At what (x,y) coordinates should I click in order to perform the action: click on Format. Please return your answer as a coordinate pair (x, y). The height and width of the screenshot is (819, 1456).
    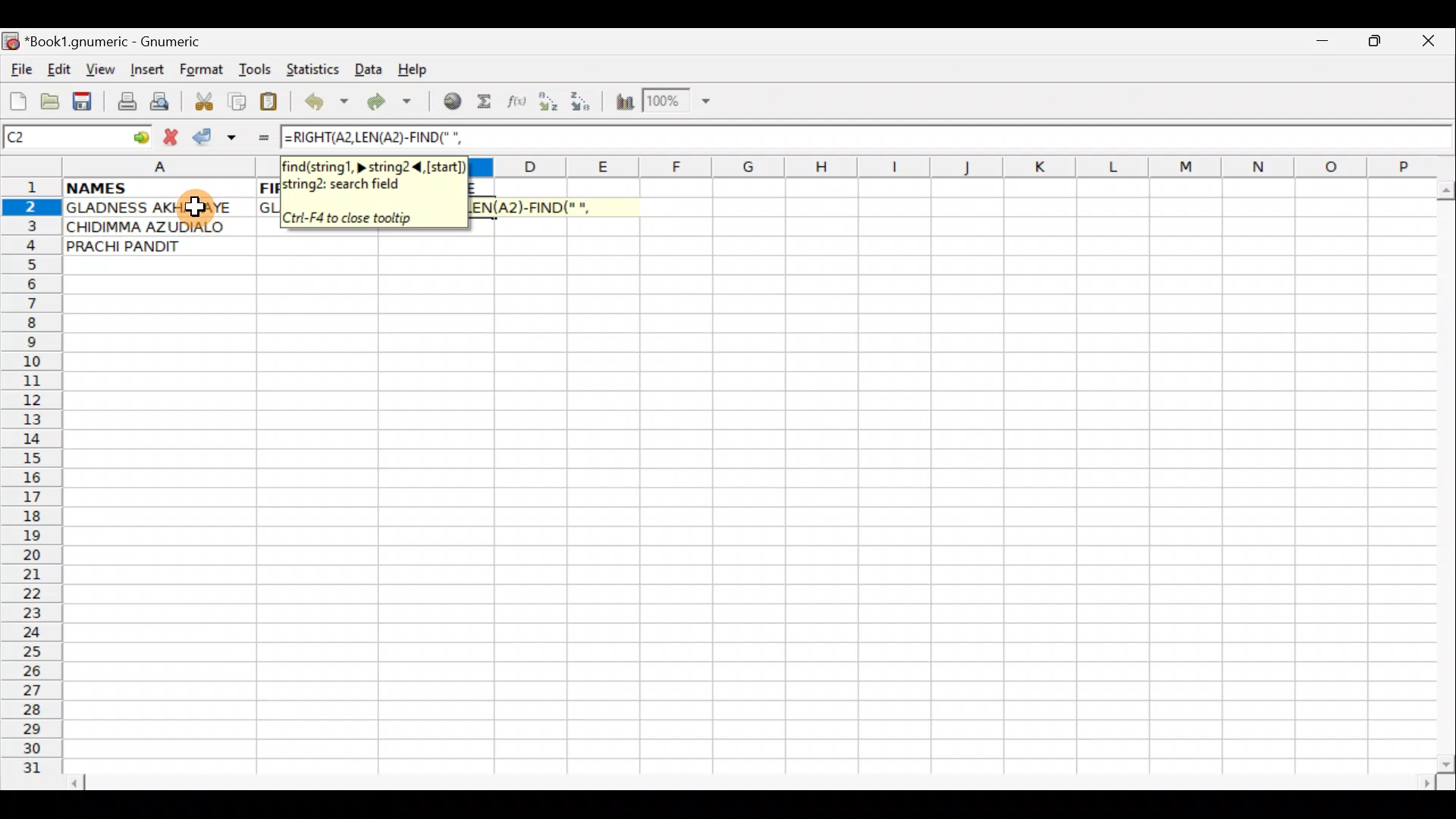
    Looking at the image, I should click on (205, 71).